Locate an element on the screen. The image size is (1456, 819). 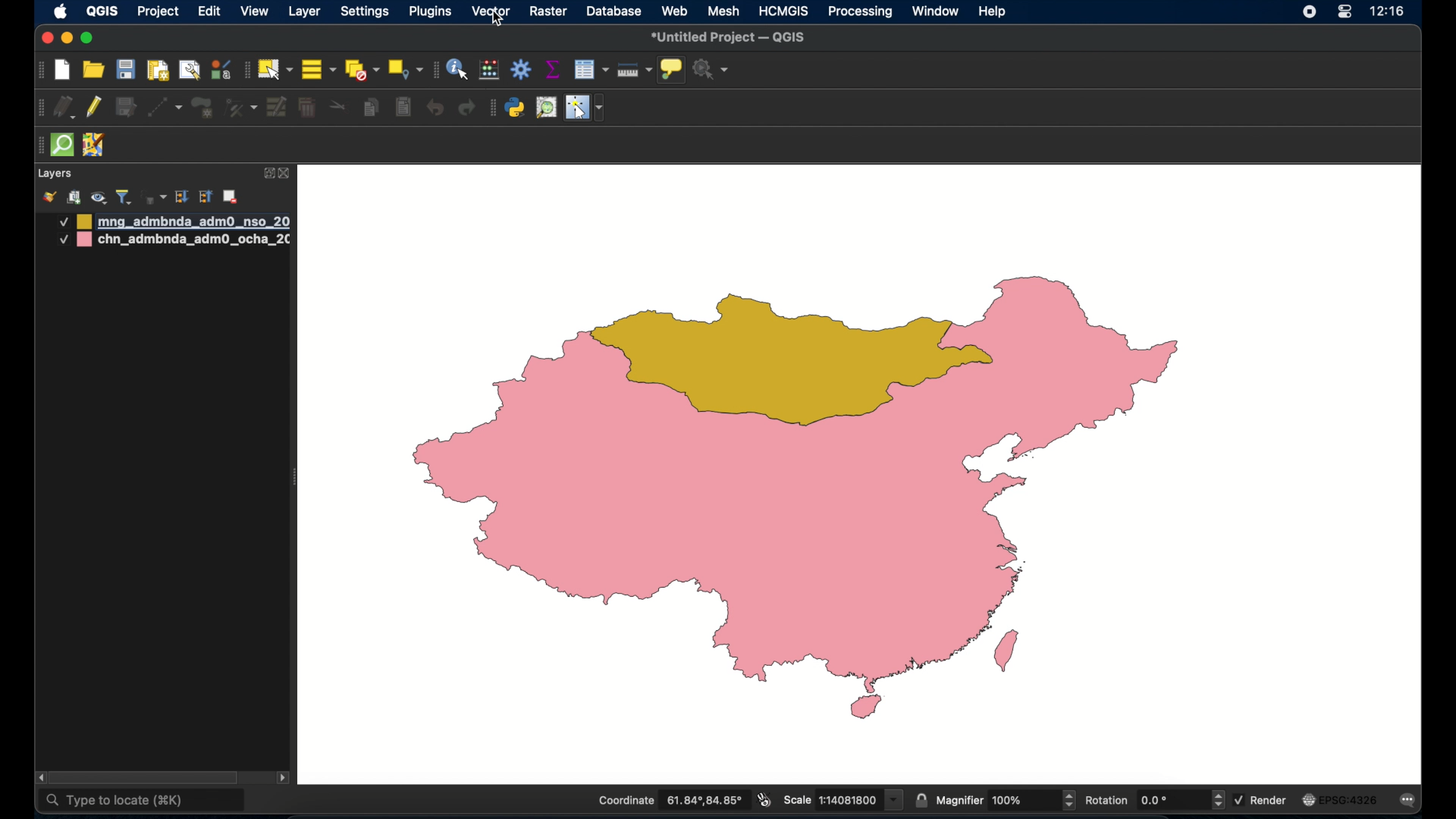
project toolbar is located at coordinates (38, 71).